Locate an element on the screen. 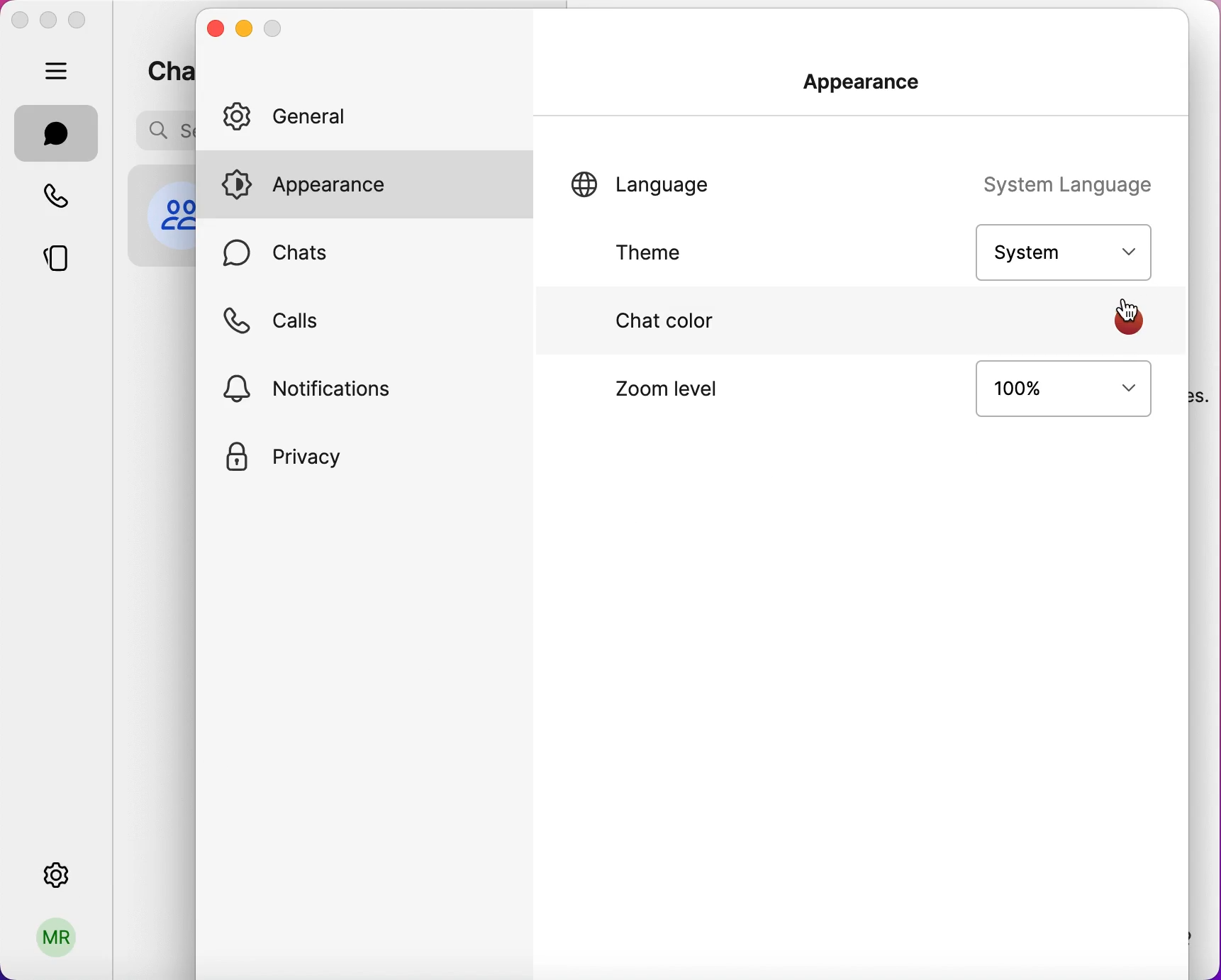  appearance is located at coordinates (377, 187).